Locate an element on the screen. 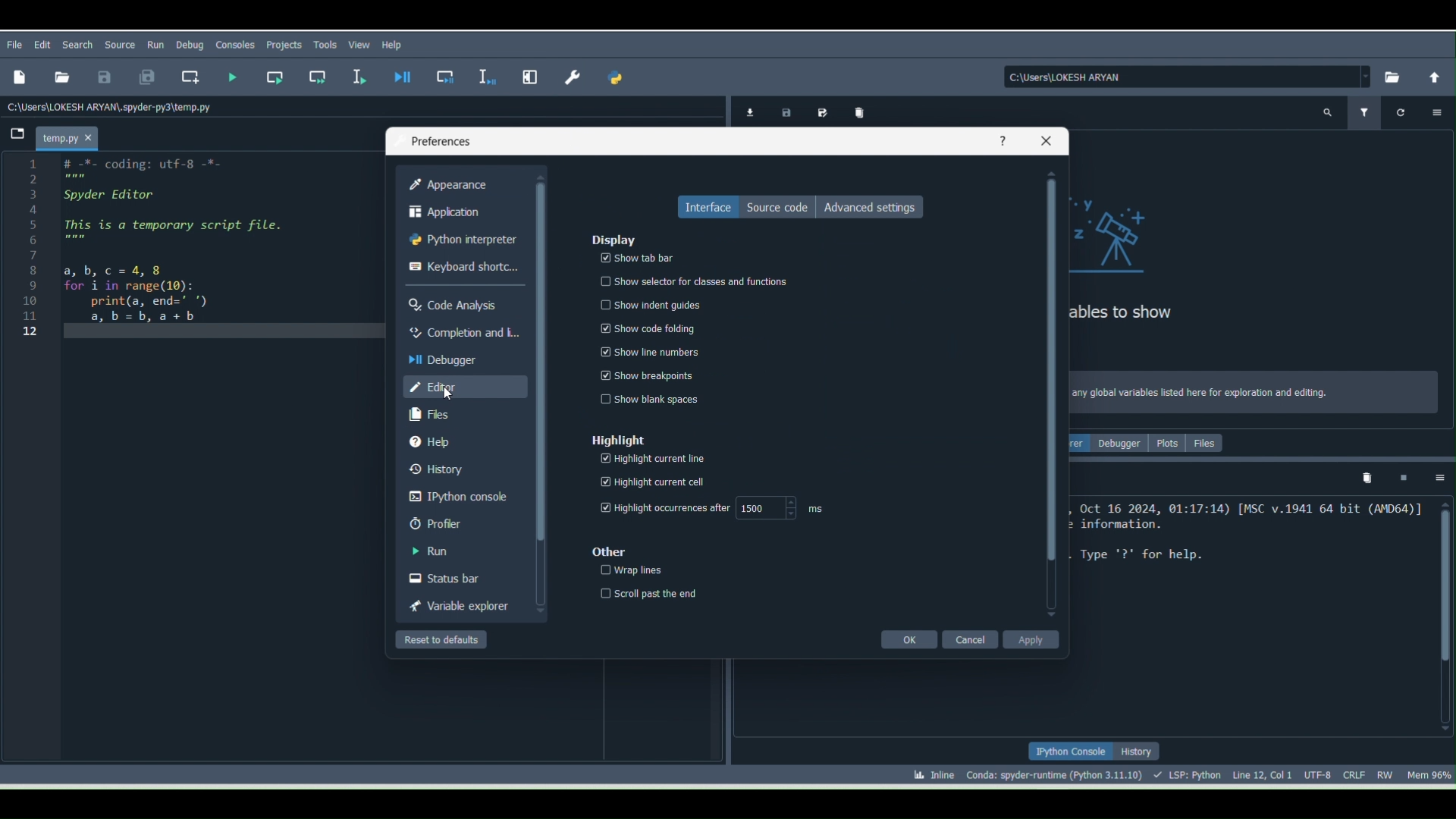  Show breakpoints is located at coordinates (656, 375).